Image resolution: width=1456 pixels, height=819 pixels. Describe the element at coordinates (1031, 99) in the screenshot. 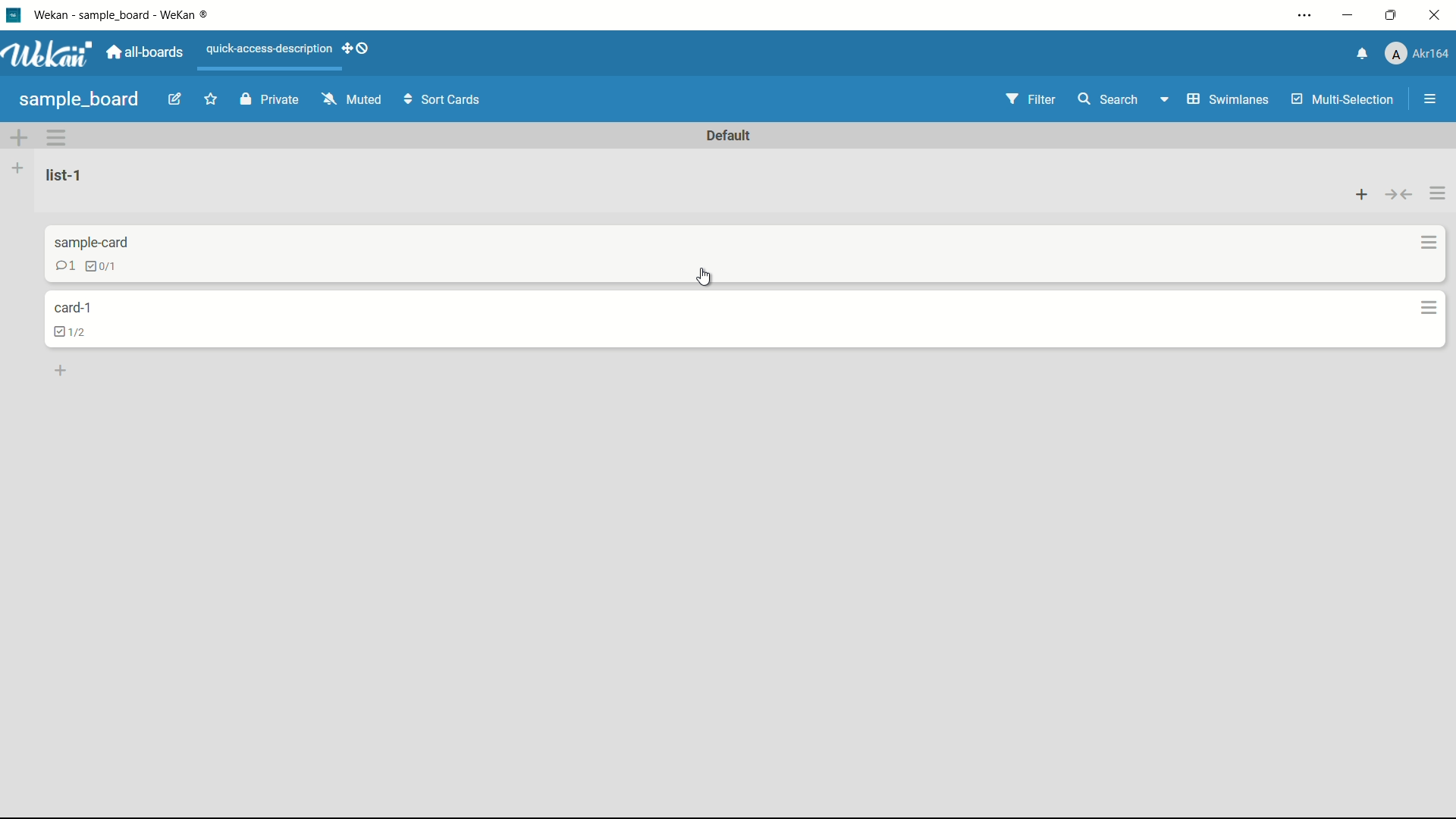

I see `filter` at that location.